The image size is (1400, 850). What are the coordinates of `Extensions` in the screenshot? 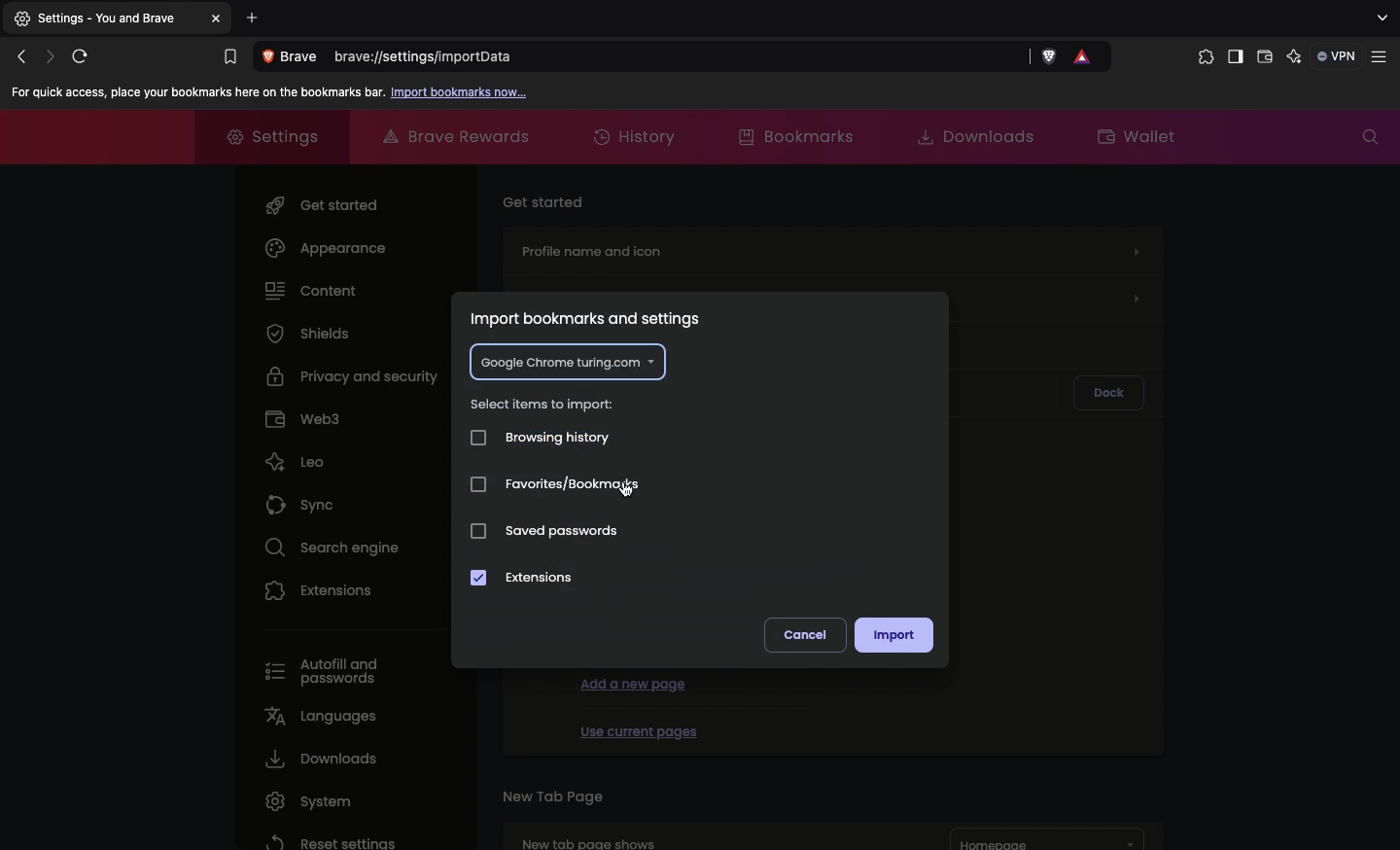 It's located at (1202, 57).